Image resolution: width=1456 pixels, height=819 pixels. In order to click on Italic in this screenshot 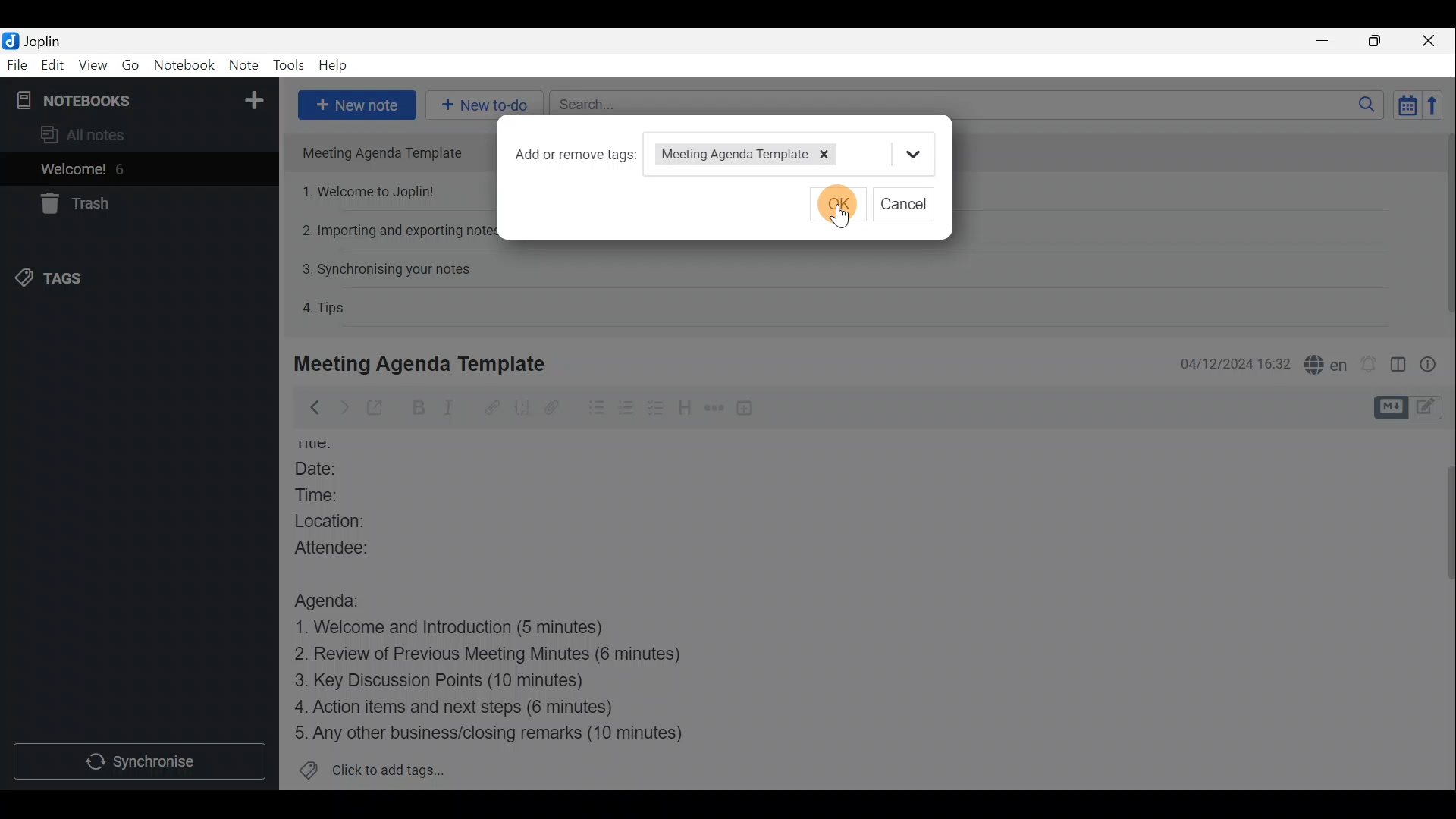, I will do `click(459, 409)`.